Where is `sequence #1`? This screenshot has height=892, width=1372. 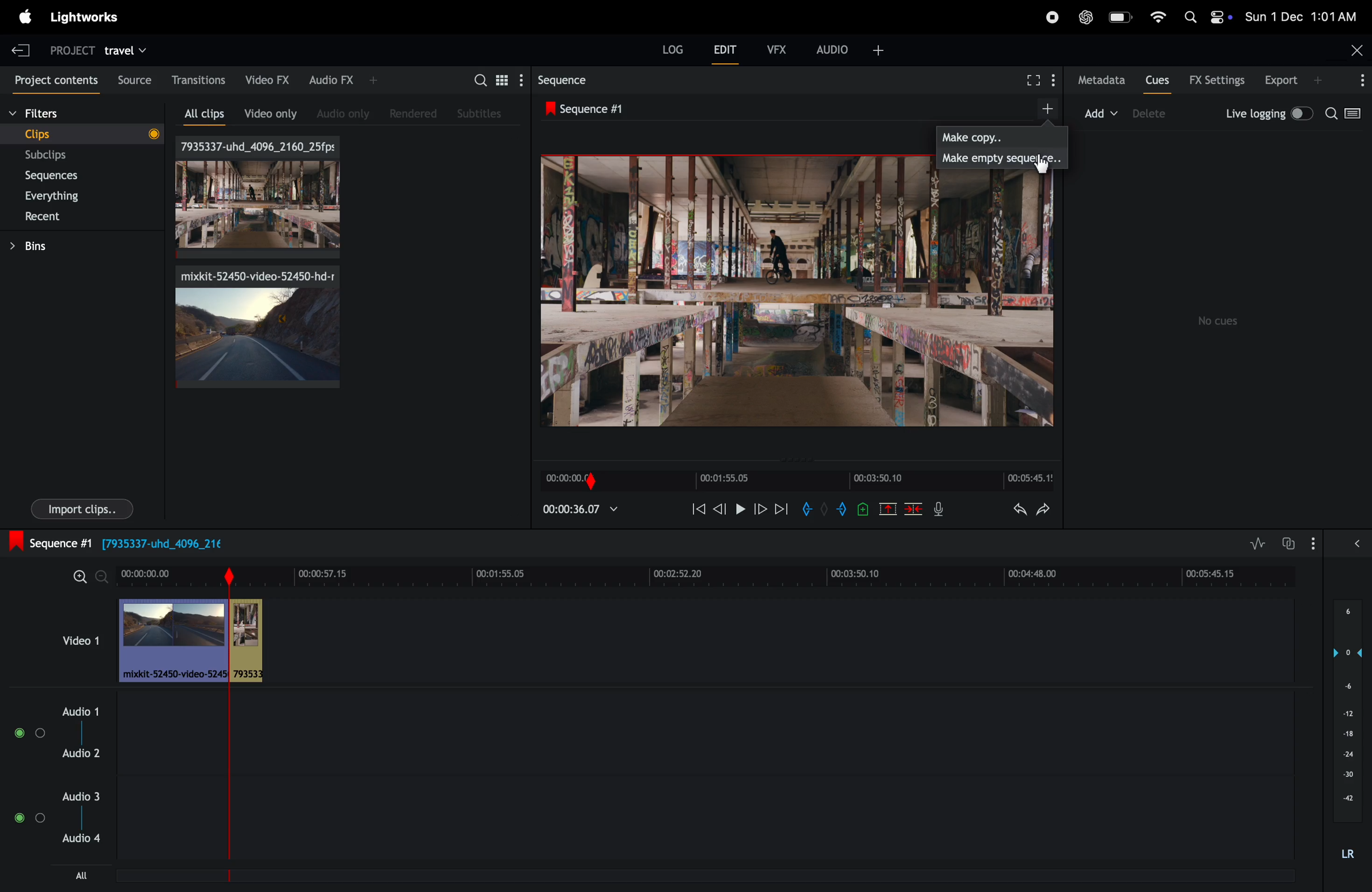 sequence #1 is located at coordinates (599, 107).